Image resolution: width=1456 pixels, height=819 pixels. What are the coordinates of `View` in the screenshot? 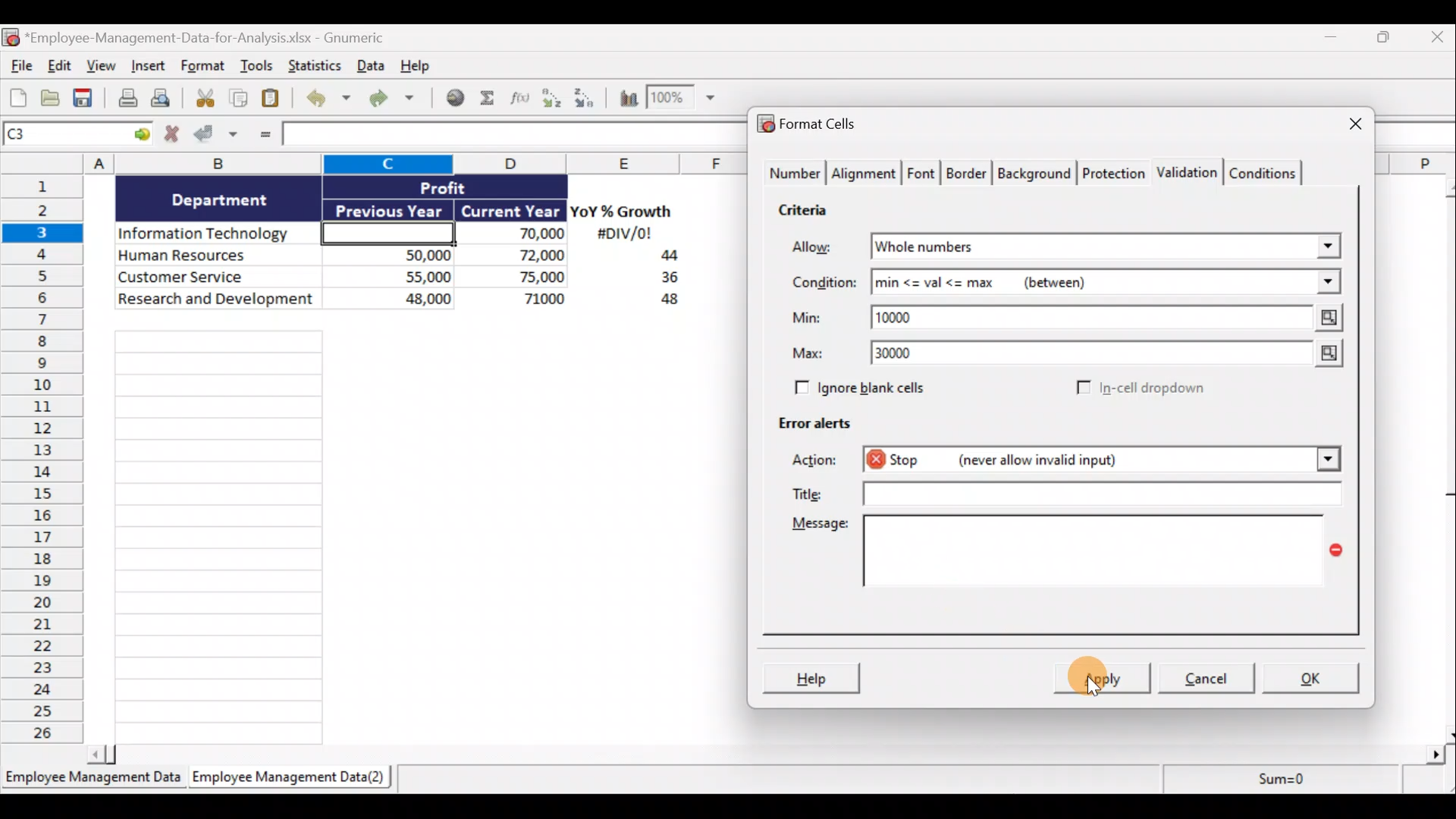 It's located at (103, 67).